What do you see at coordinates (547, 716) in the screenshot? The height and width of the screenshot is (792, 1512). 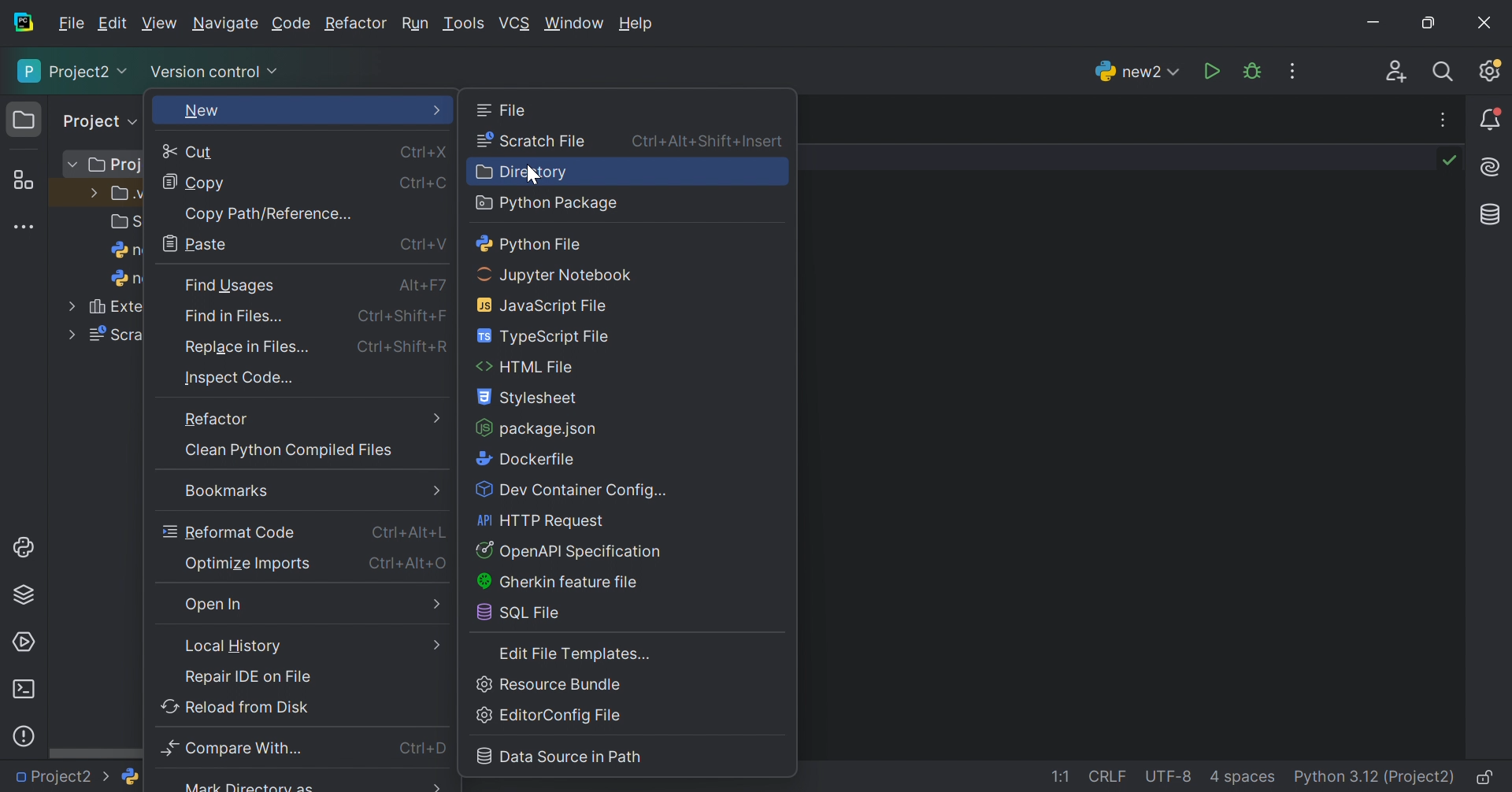 I see `EditorConfig File` at bounding box center [547, 716].